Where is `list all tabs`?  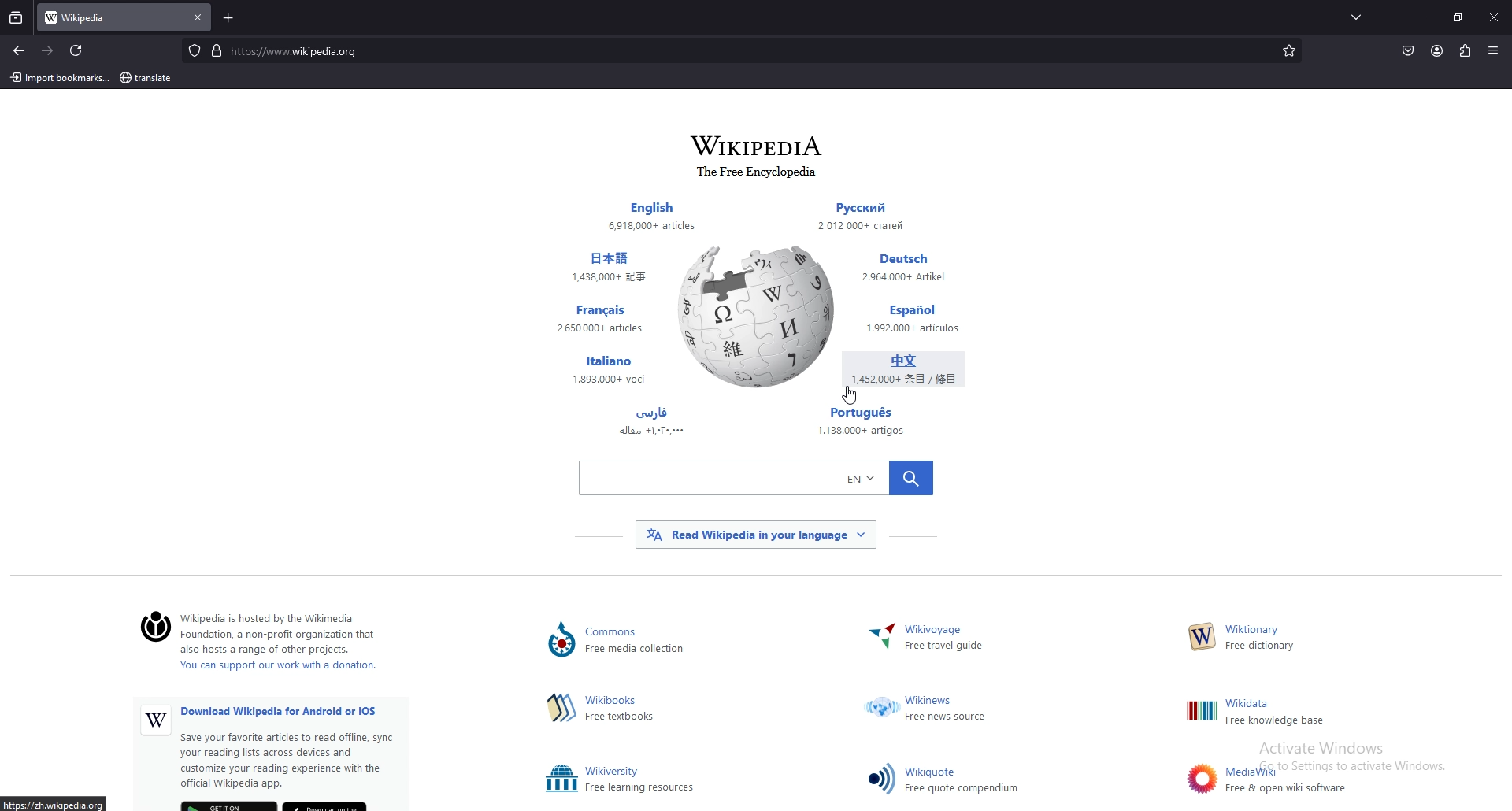 list all tabs is located at coordinates (1361, 16).